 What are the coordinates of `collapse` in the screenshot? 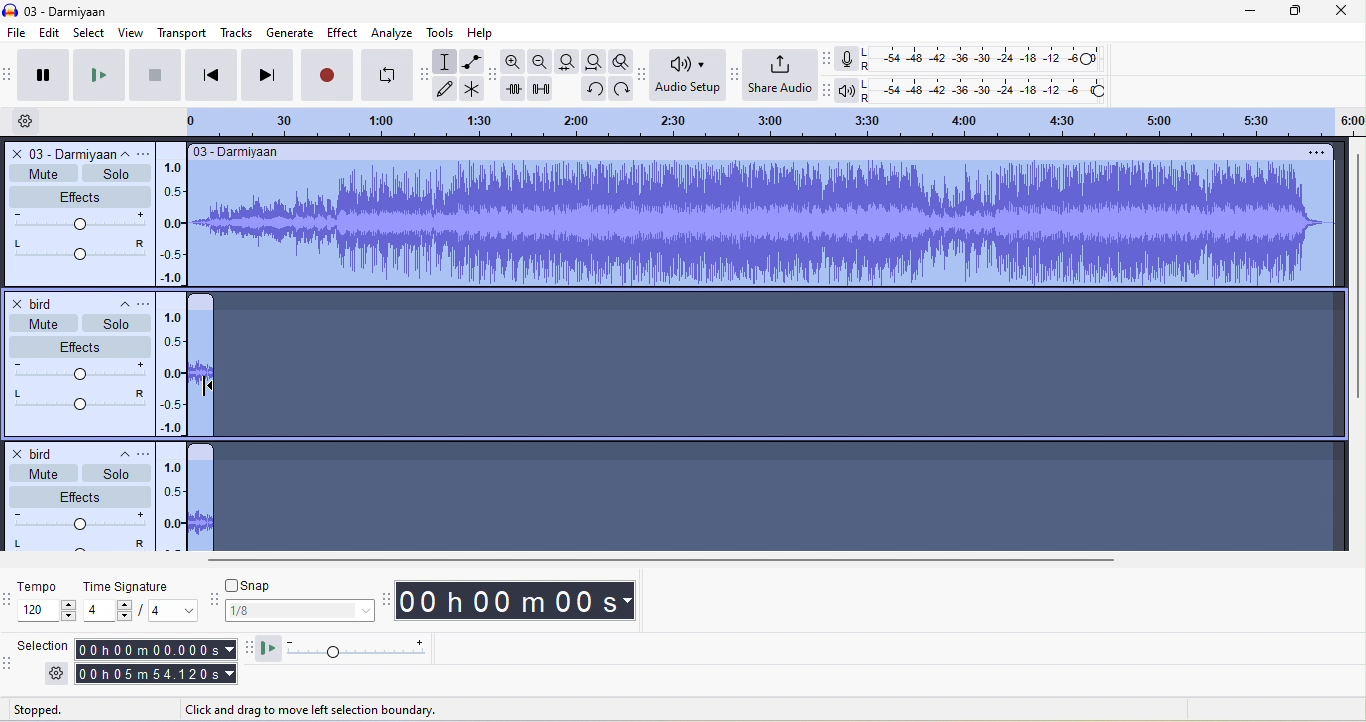 It's located at (117, 301).